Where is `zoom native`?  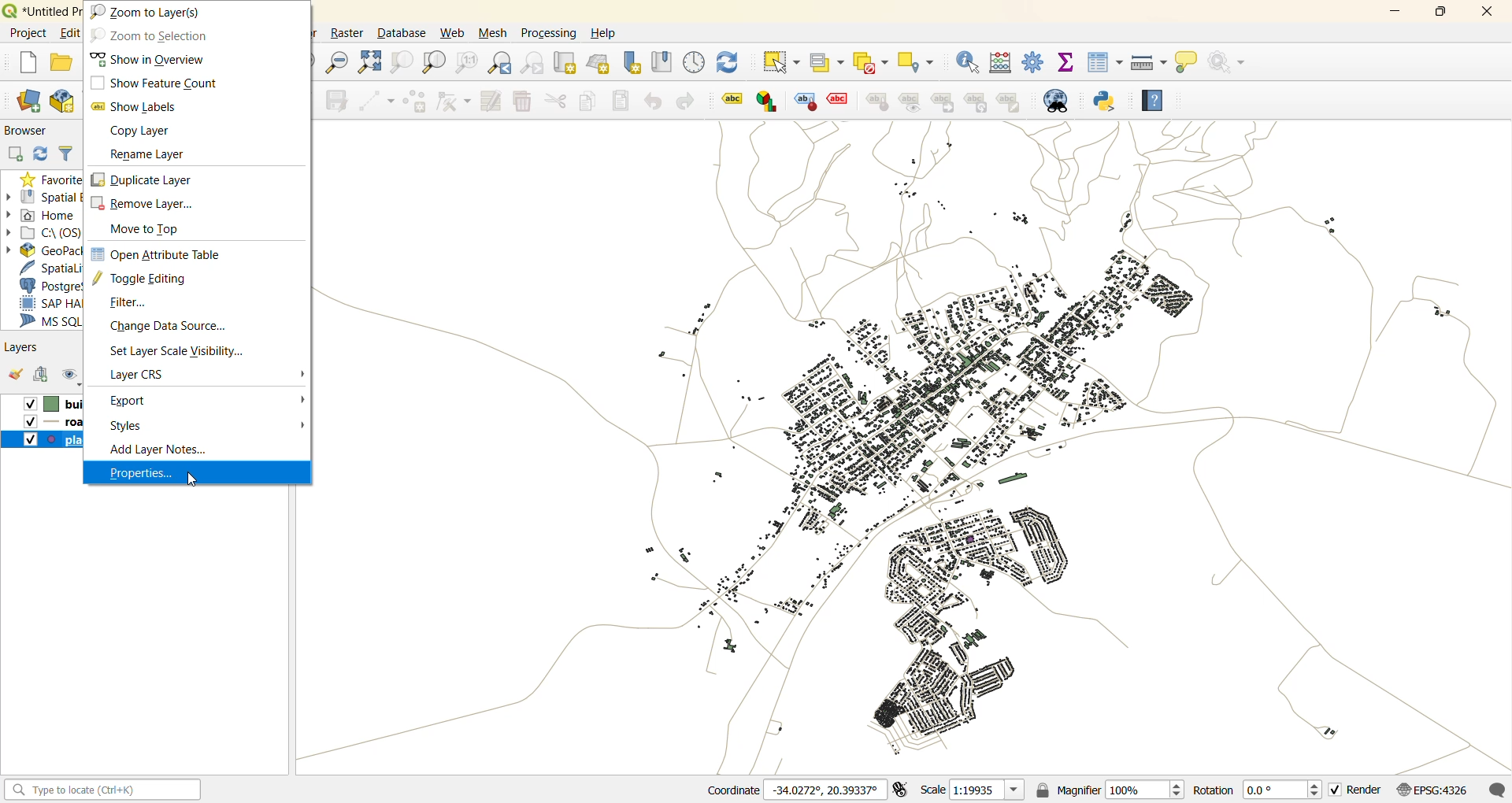 zoom native is located at coordinates (469, 62).